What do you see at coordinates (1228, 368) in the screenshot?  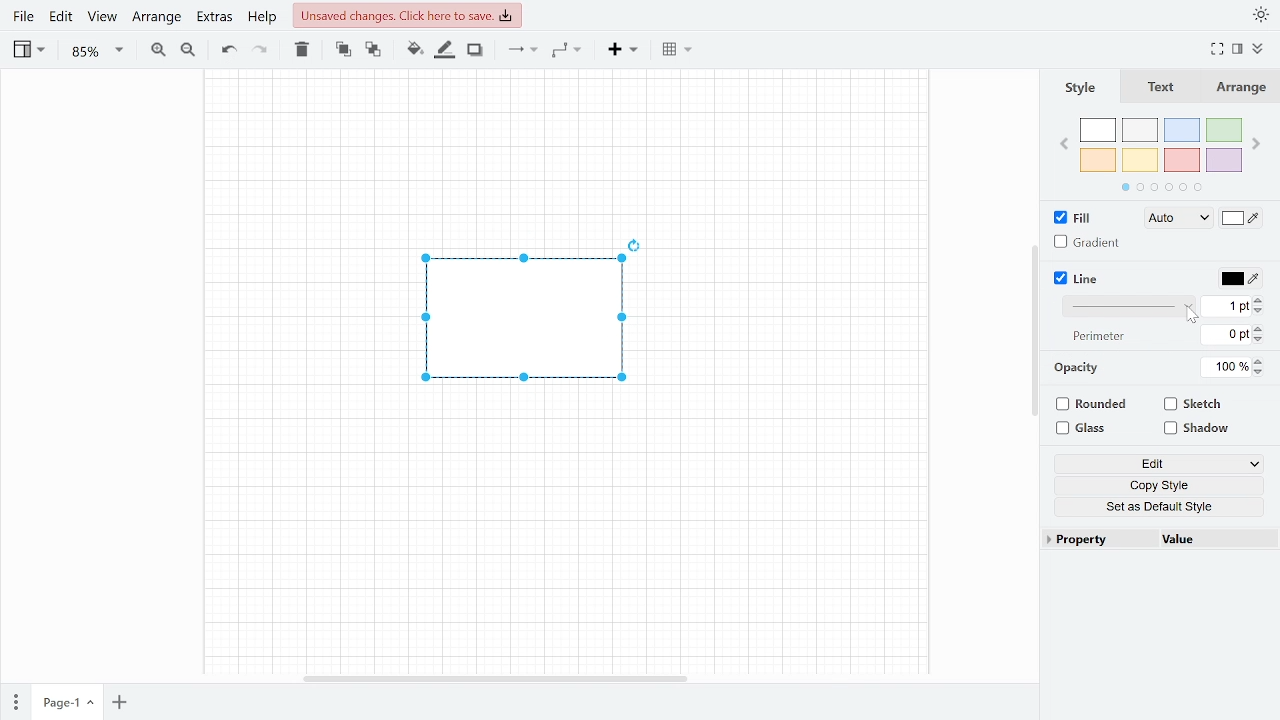 I see `Current opacity` at bounding box center [1228, 368].